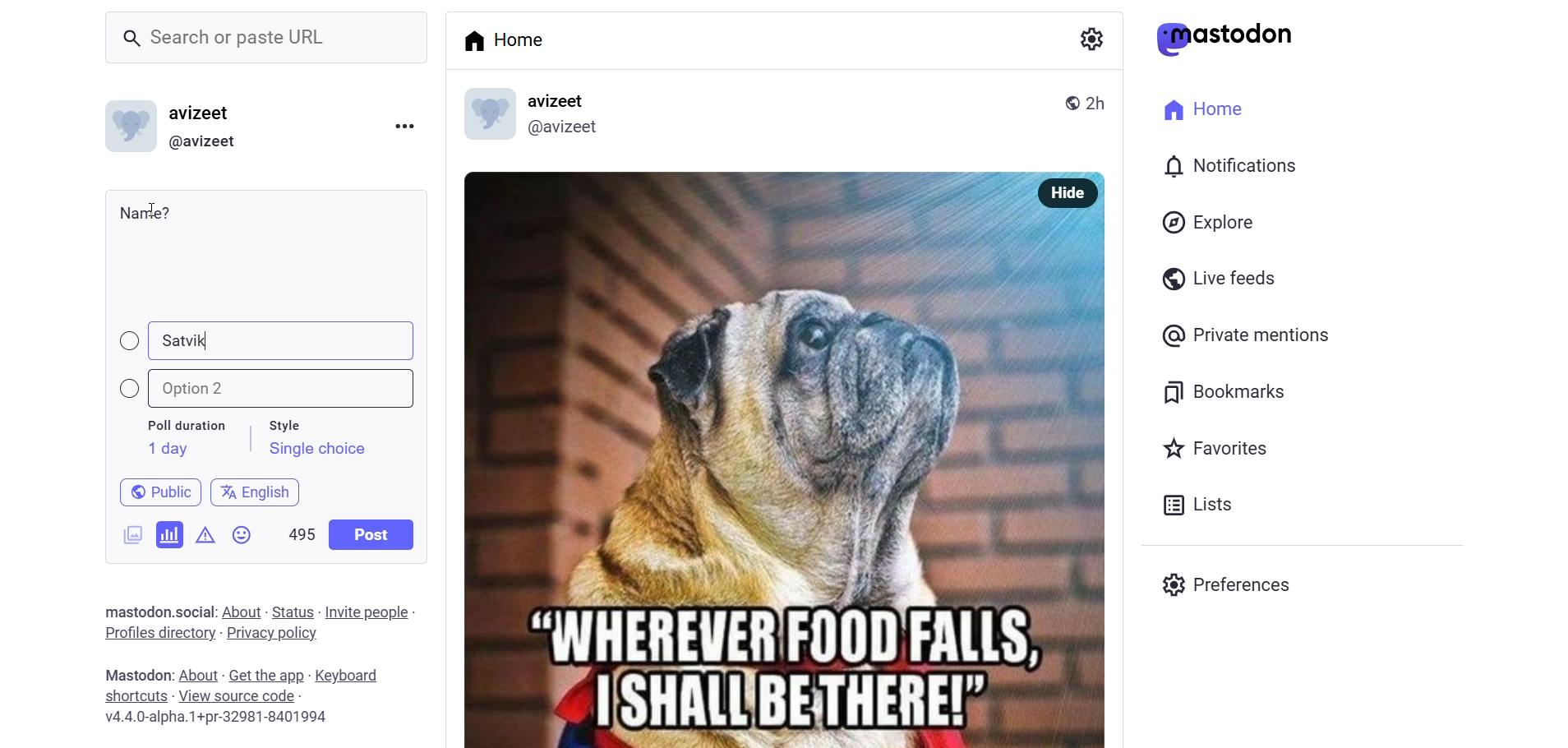 Image resolution: width=1568 pixels, height=748 pixels. I want to click on start writing option 1, so click(164, 340).